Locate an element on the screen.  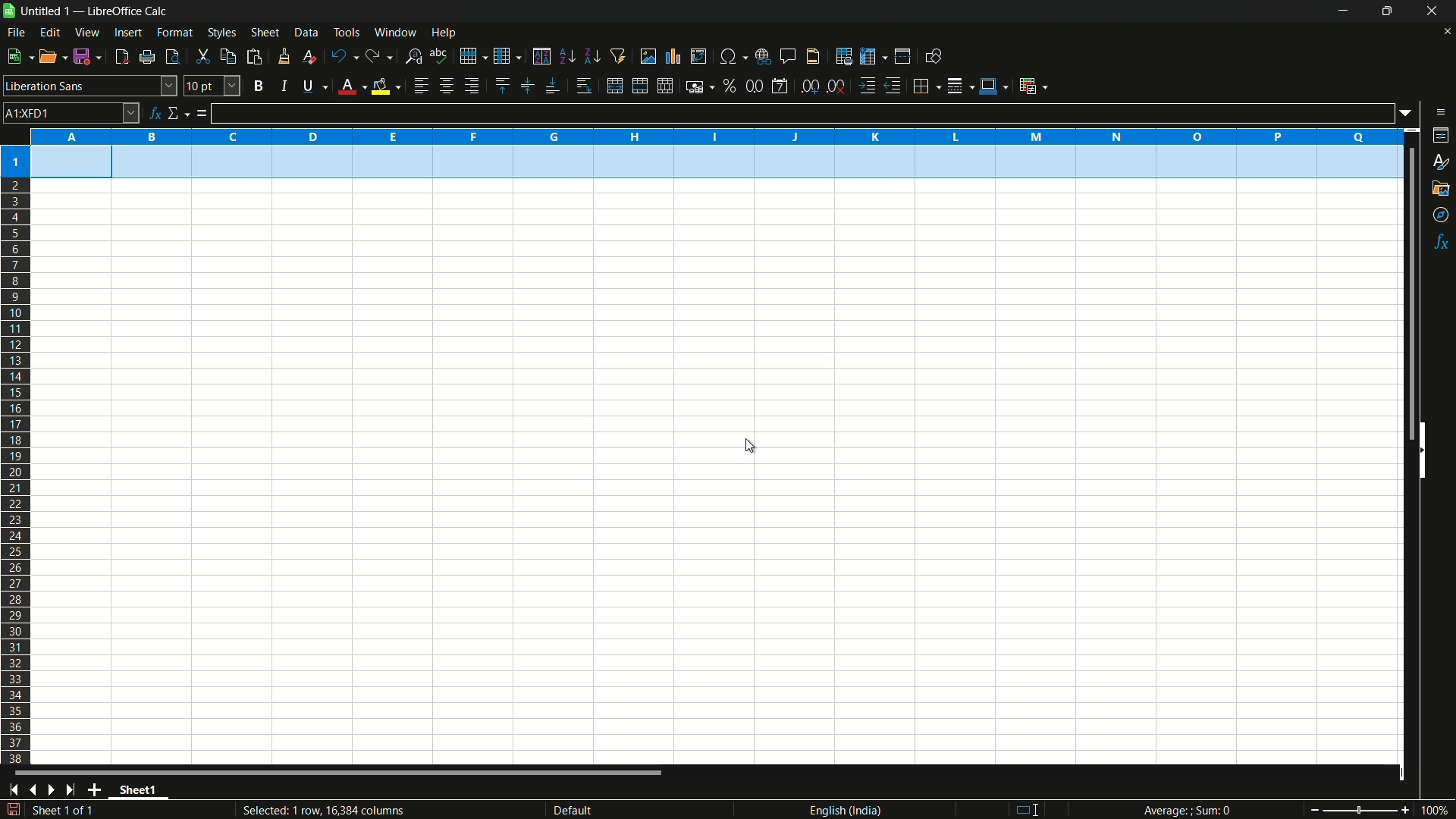
align bottom is located at coordinates (553, 87).